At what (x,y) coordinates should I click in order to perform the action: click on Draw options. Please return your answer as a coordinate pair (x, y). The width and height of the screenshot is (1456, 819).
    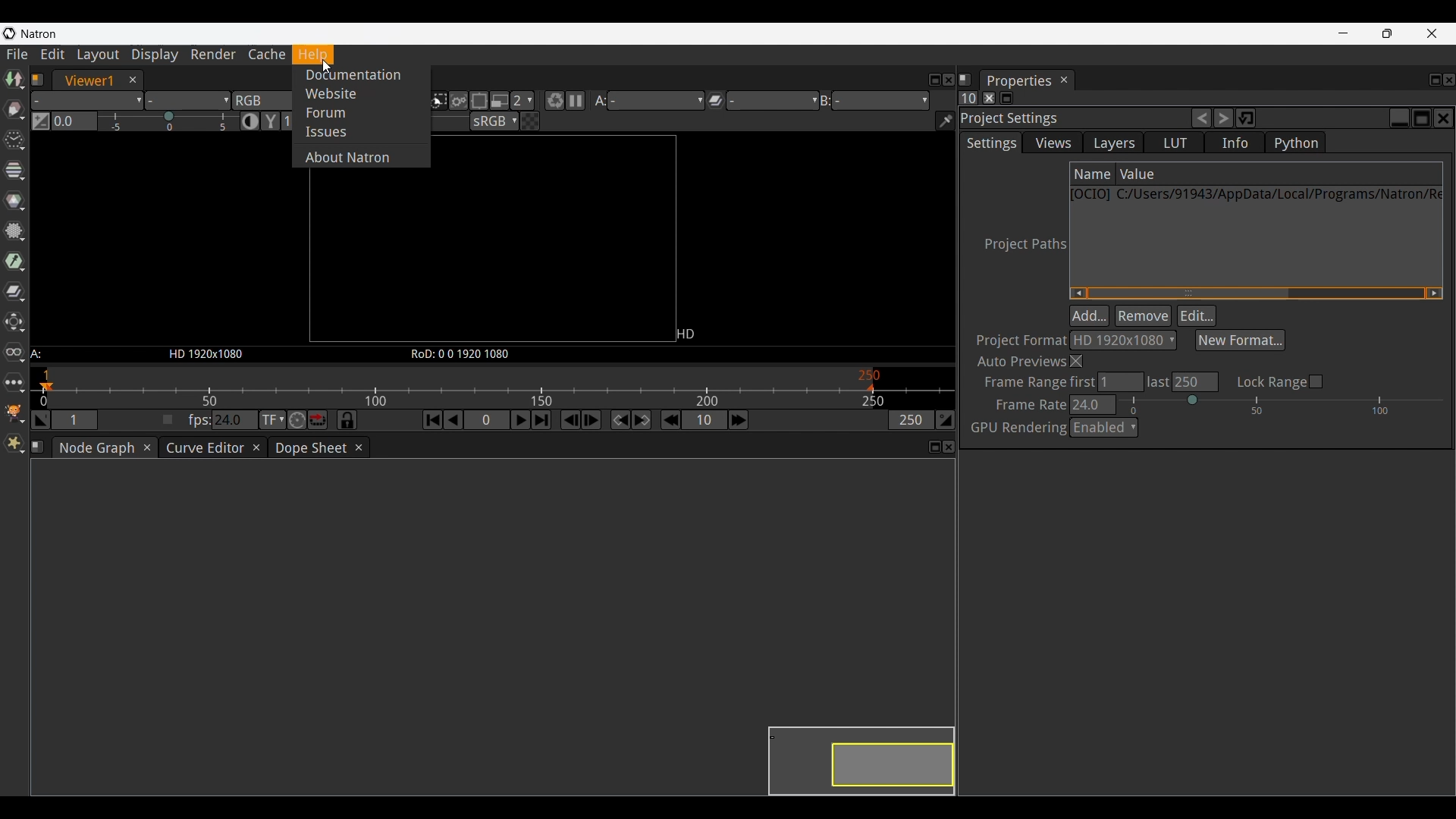
    Looking at the image, I should click on (14, 109).